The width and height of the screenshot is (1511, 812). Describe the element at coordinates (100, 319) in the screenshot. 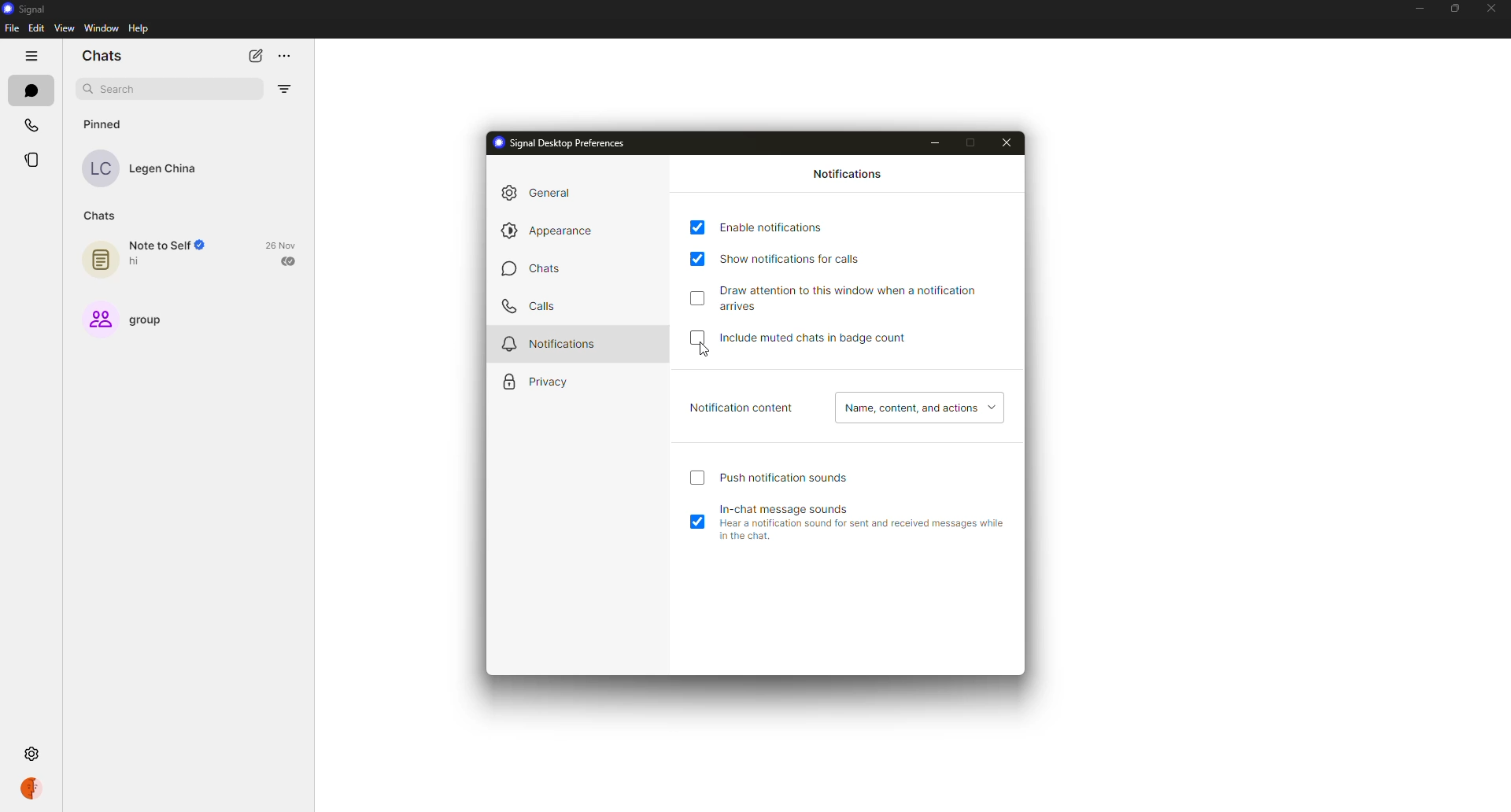

I see `Group Icon` at that location.